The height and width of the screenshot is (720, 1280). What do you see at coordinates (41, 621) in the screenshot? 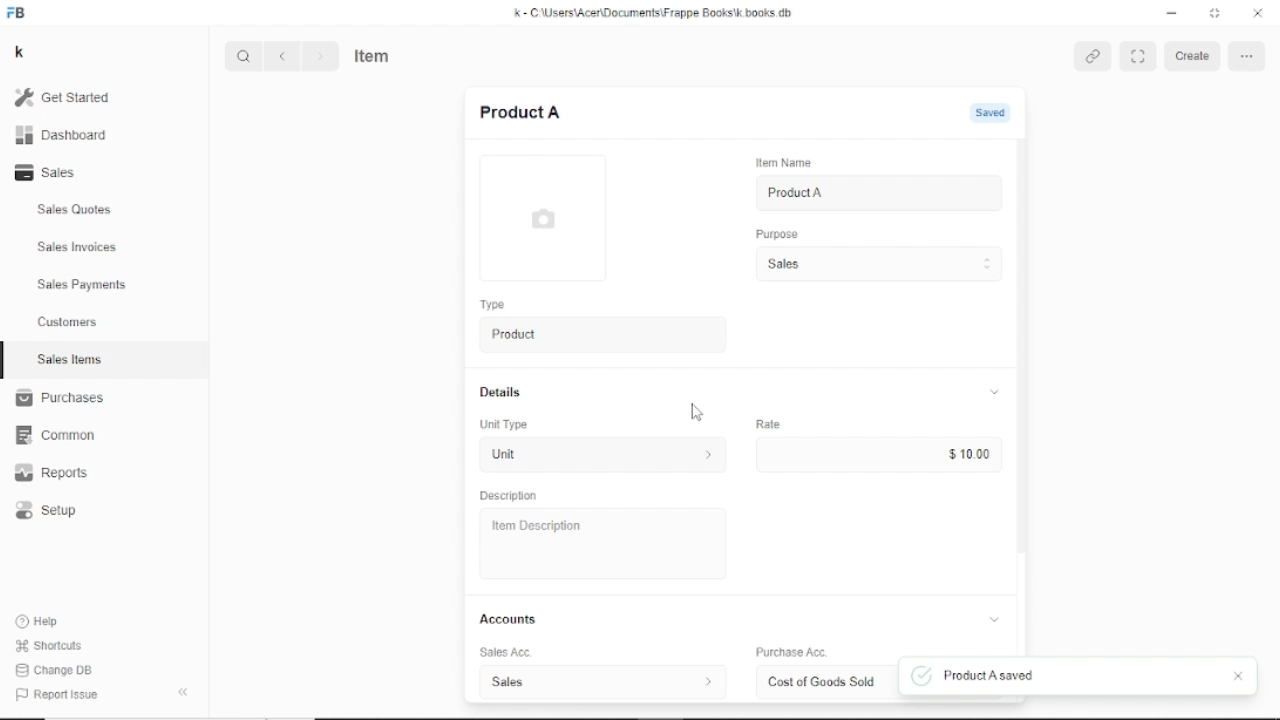
I see `Help` at bounding box center [41, 621].